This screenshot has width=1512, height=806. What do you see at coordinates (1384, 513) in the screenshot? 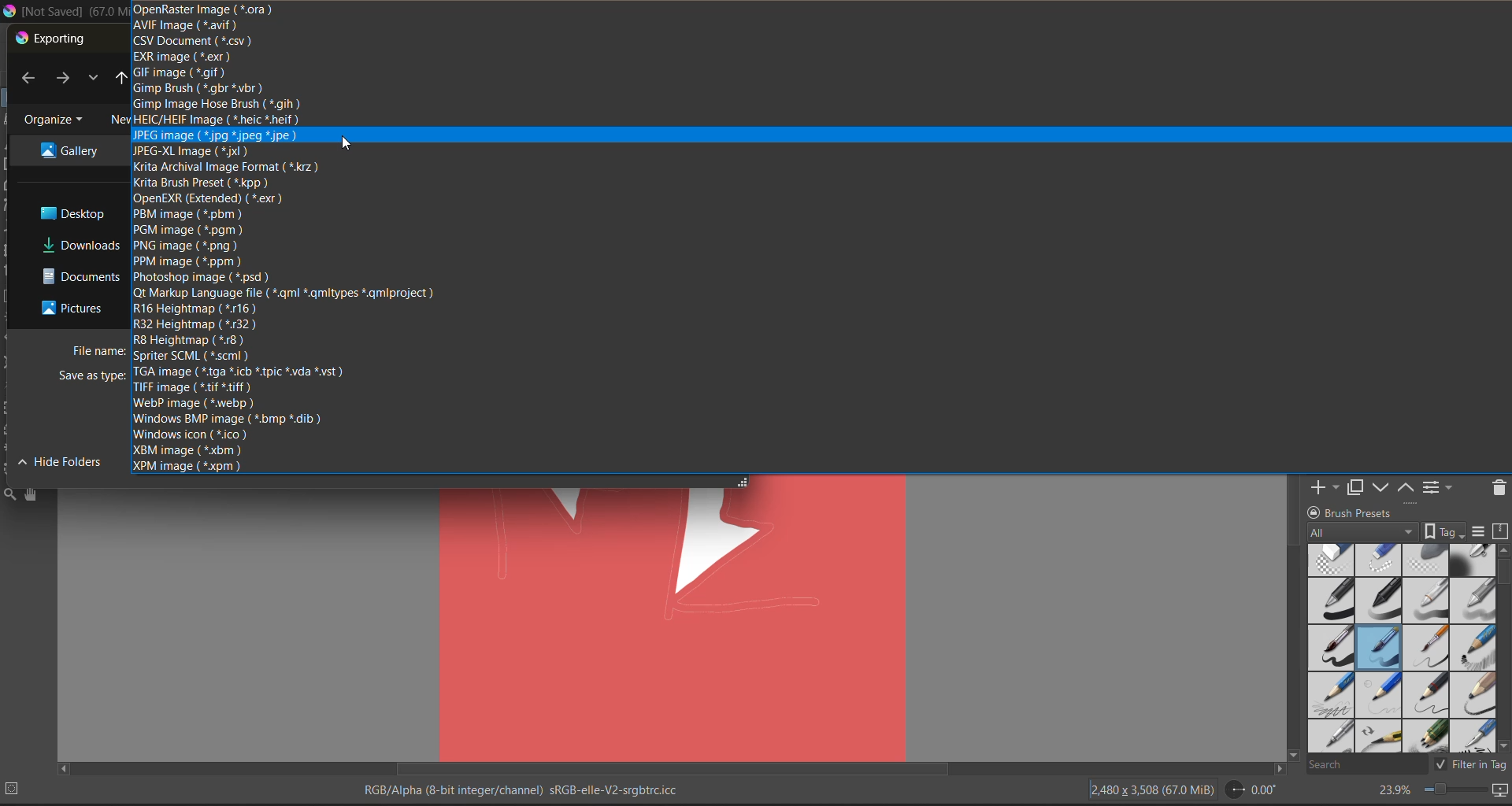
I see `Brush presets` at bounding box center [1384, 513].